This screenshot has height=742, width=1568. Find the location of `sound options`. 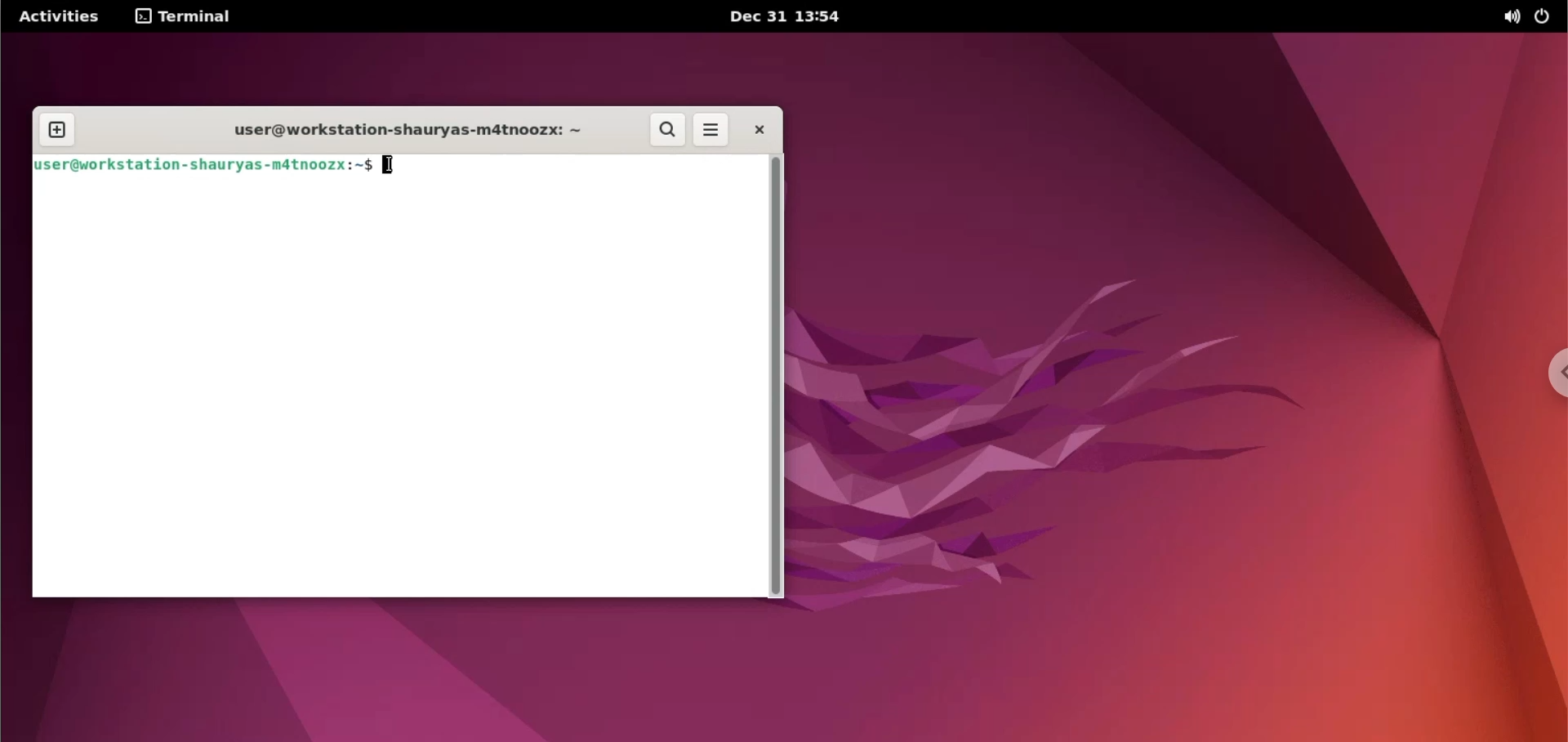

sound options is located at coordinates (1508, 17).